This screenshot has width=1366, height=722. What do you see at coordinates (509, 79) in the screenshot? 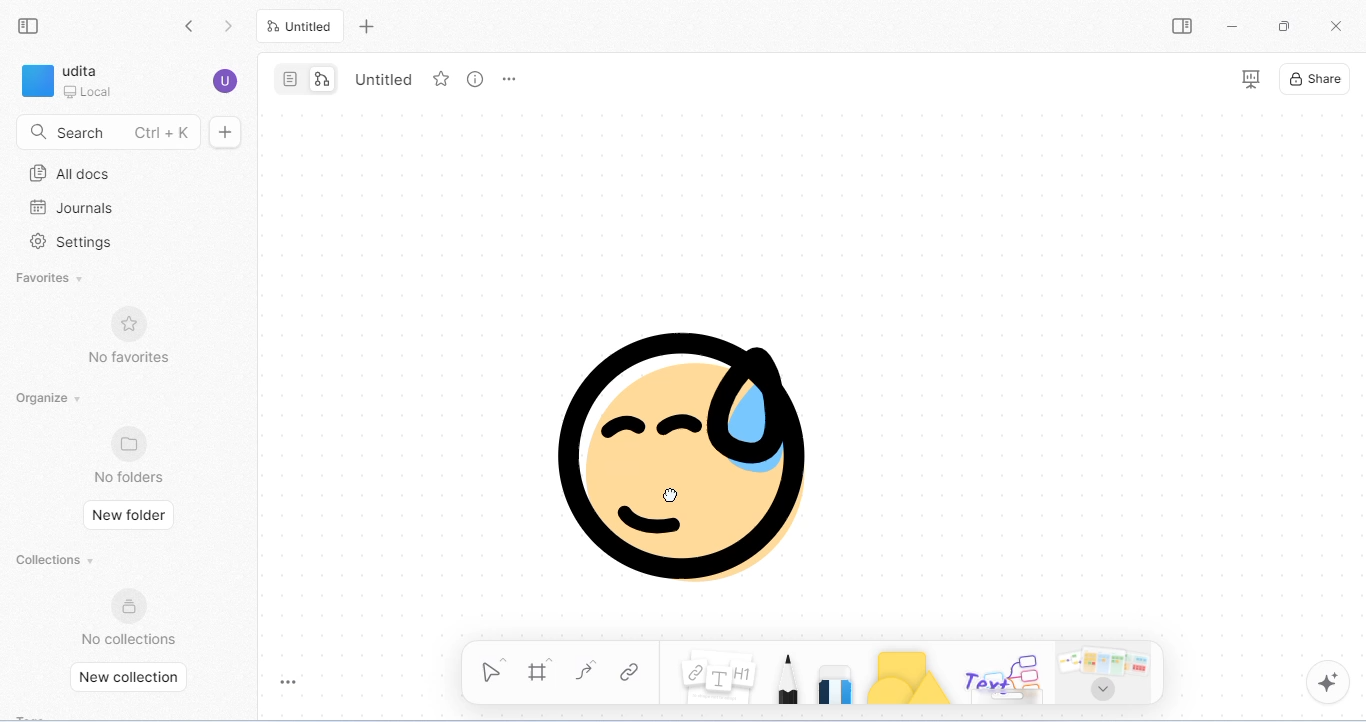
I see `rename and more` at bounding box center [509, 79].